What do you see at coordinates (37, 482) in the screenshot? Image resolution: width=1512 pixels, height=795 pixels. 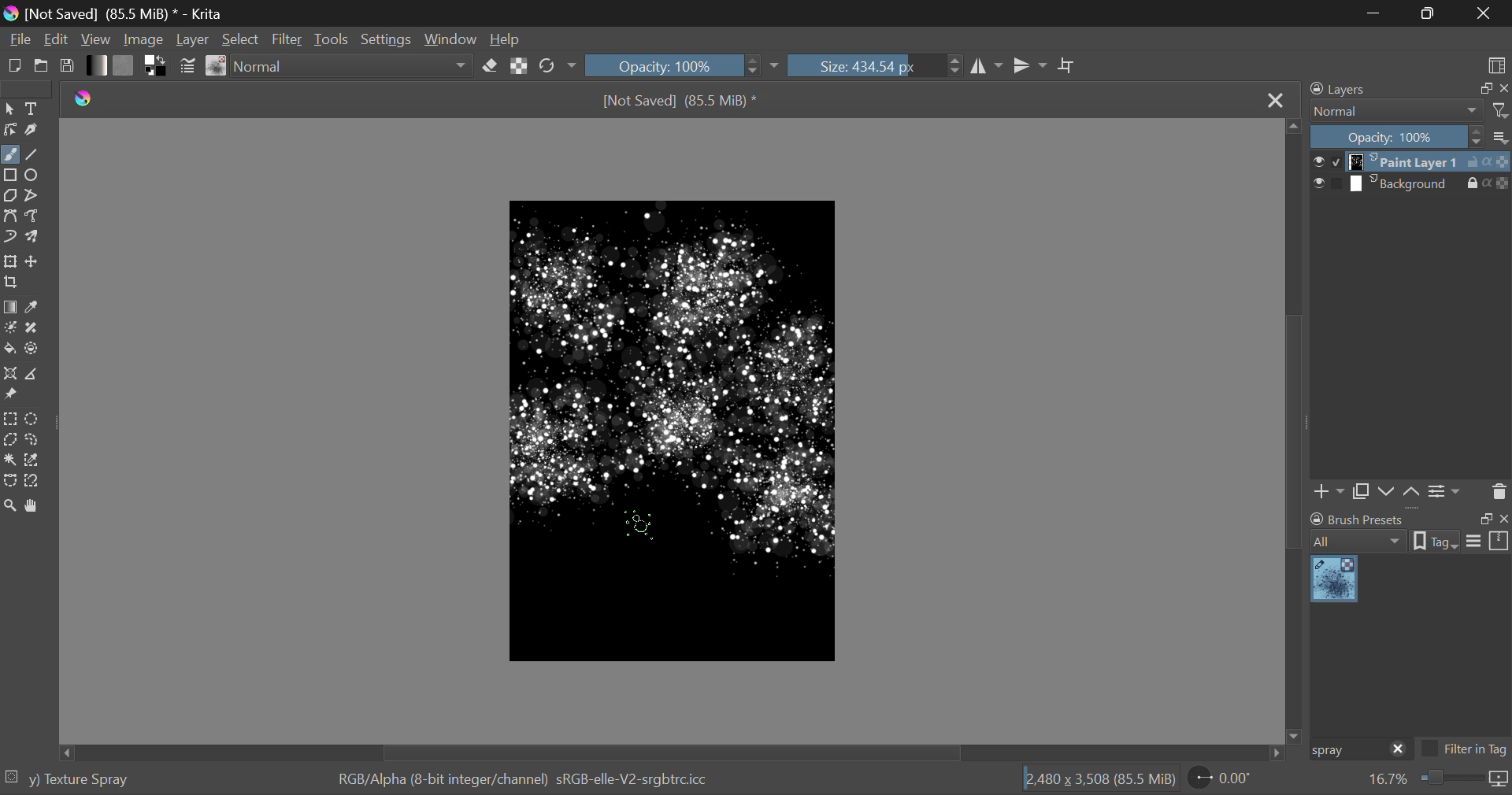 I see `Magnetic Selection` at bounding box center [37, 482].